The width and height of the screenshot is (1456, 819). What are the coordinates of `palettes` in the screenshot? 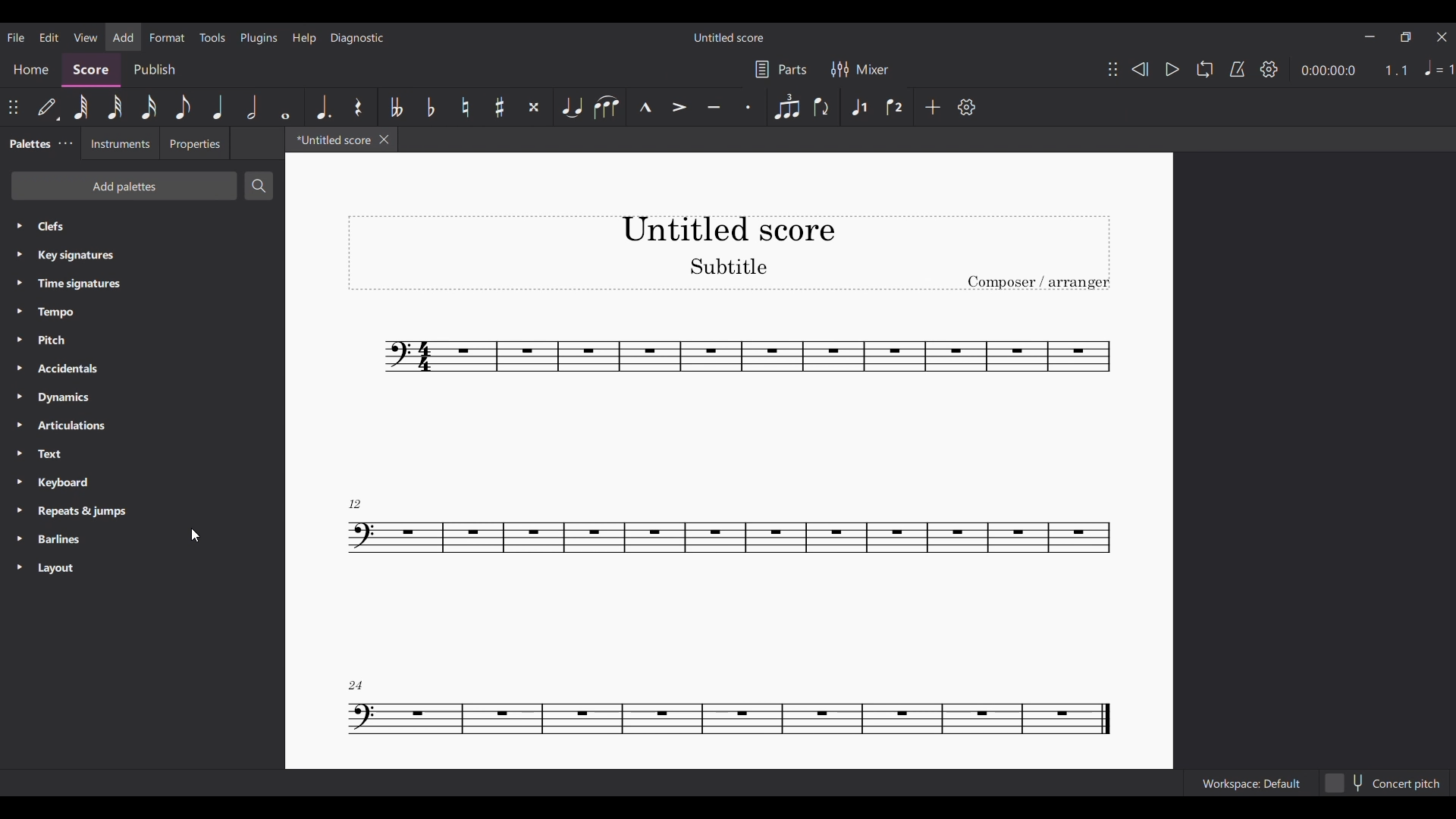 It's located at (39, 145).